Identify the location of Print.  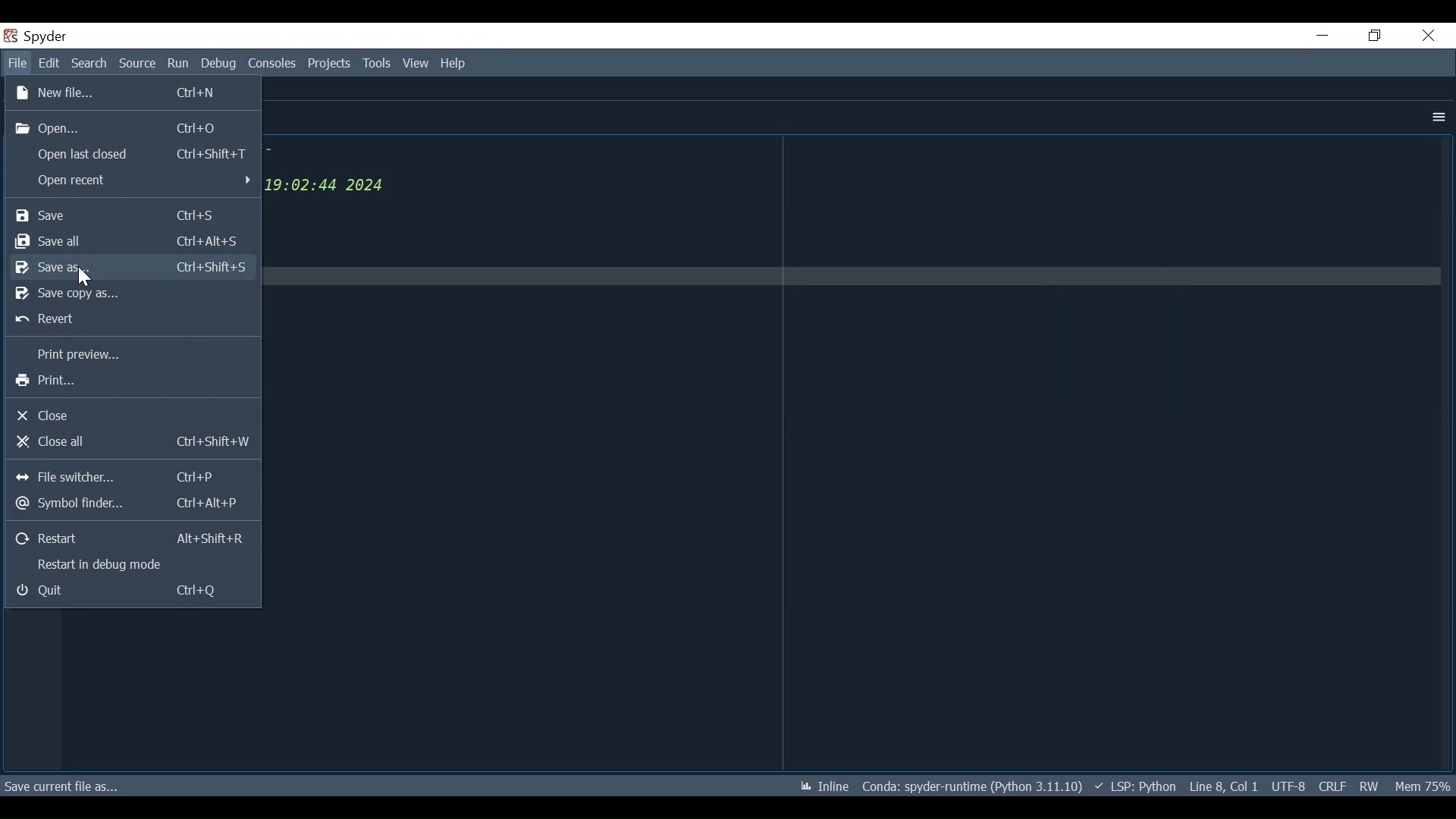
(133, 381).